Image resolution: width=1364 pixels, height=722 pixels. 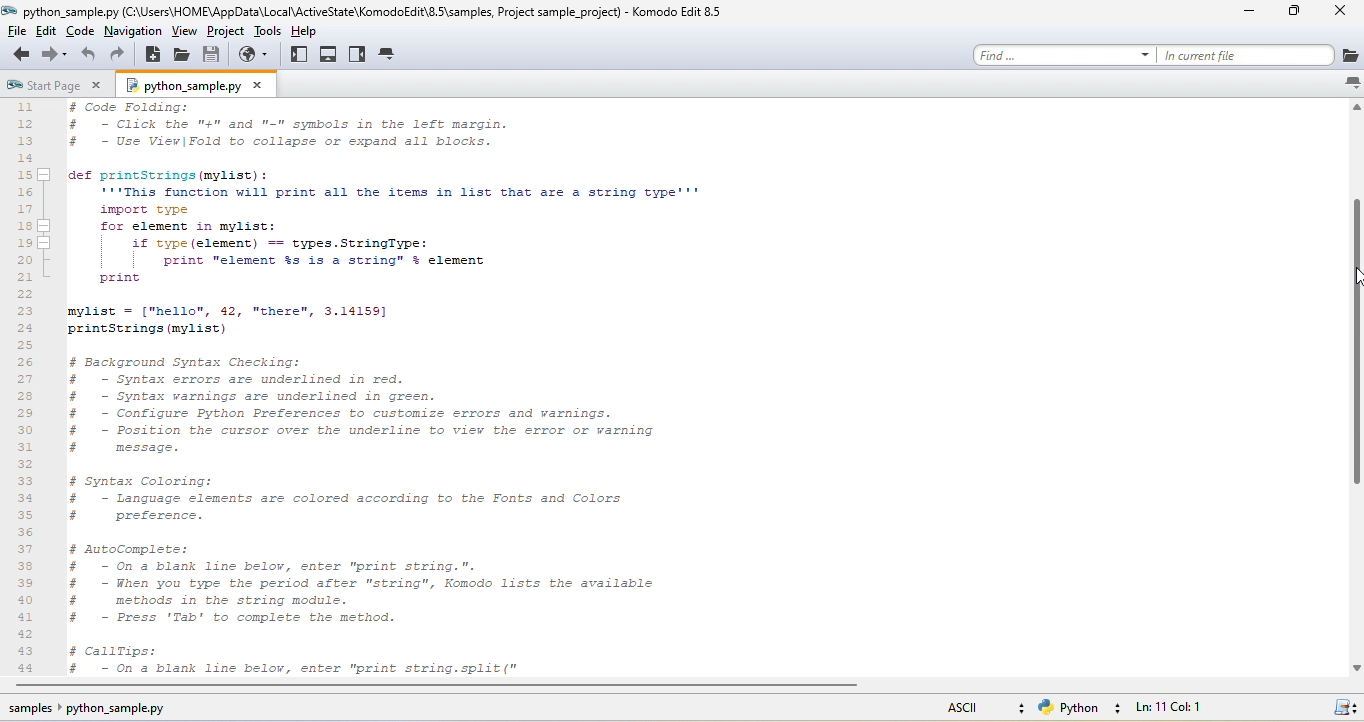 What do you see at coordinates (257, 57) in the screenshot?
I see `browser` at bounding box center [257, 57].